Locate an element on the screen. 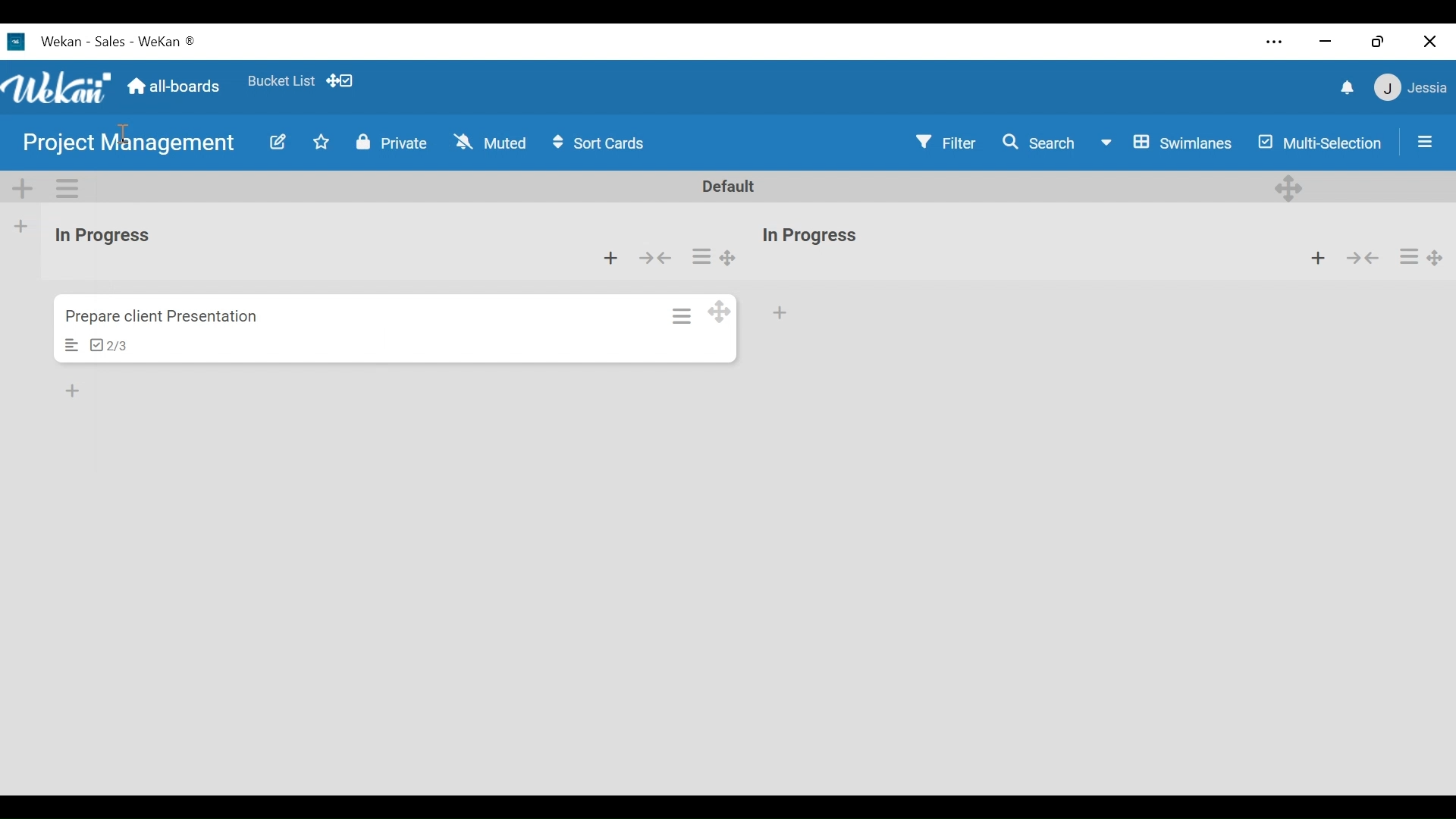  Go Home view (all boards) is located at coordinates (176, 84).